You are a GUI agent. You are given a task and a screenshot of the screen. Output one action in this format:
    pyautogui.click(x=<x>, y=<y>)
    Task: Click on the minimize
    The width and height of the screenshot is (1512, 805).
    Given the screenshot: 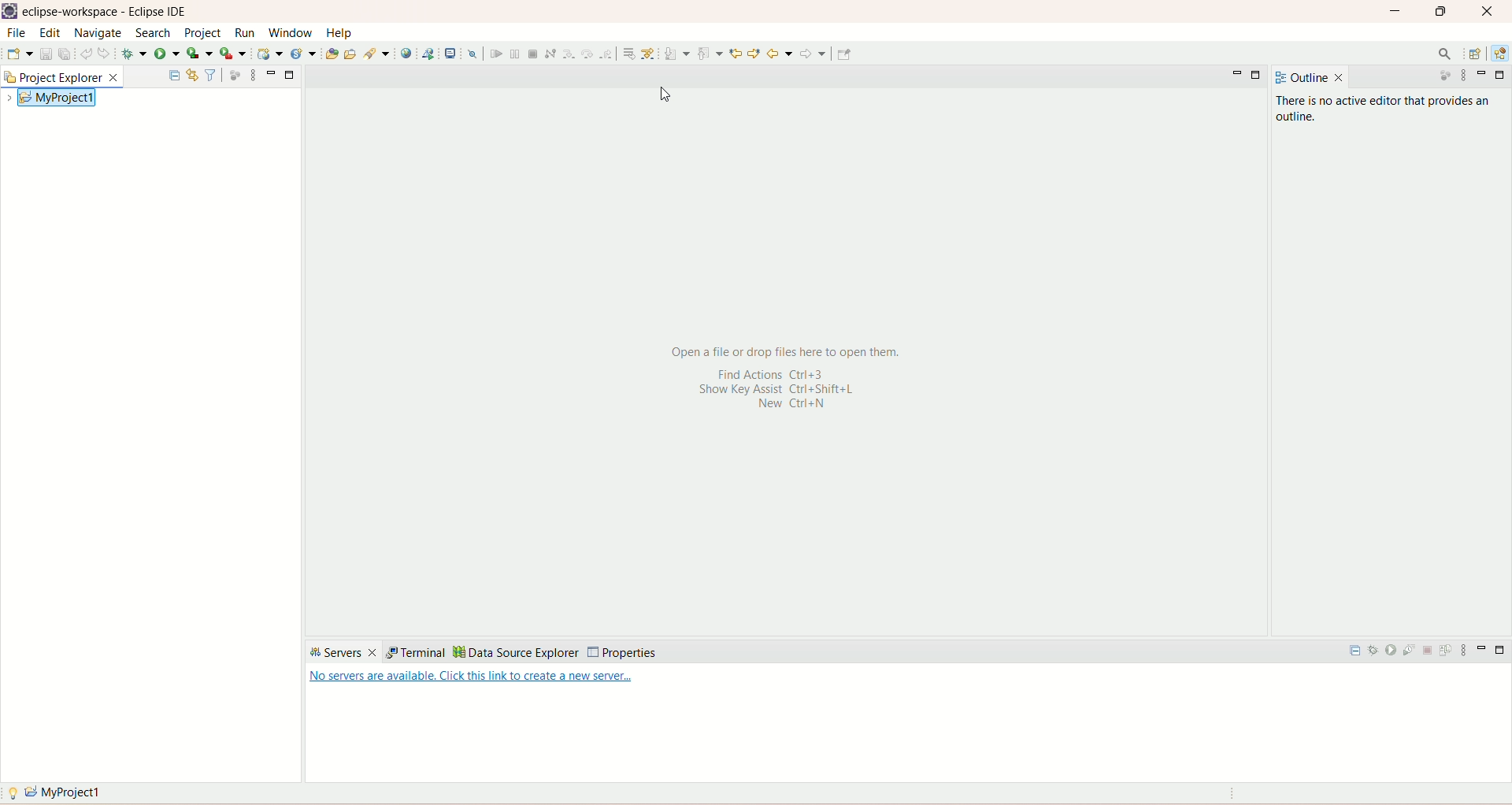 What is the action you would take?
    pyautogui.click(x=1480, y=653)
    